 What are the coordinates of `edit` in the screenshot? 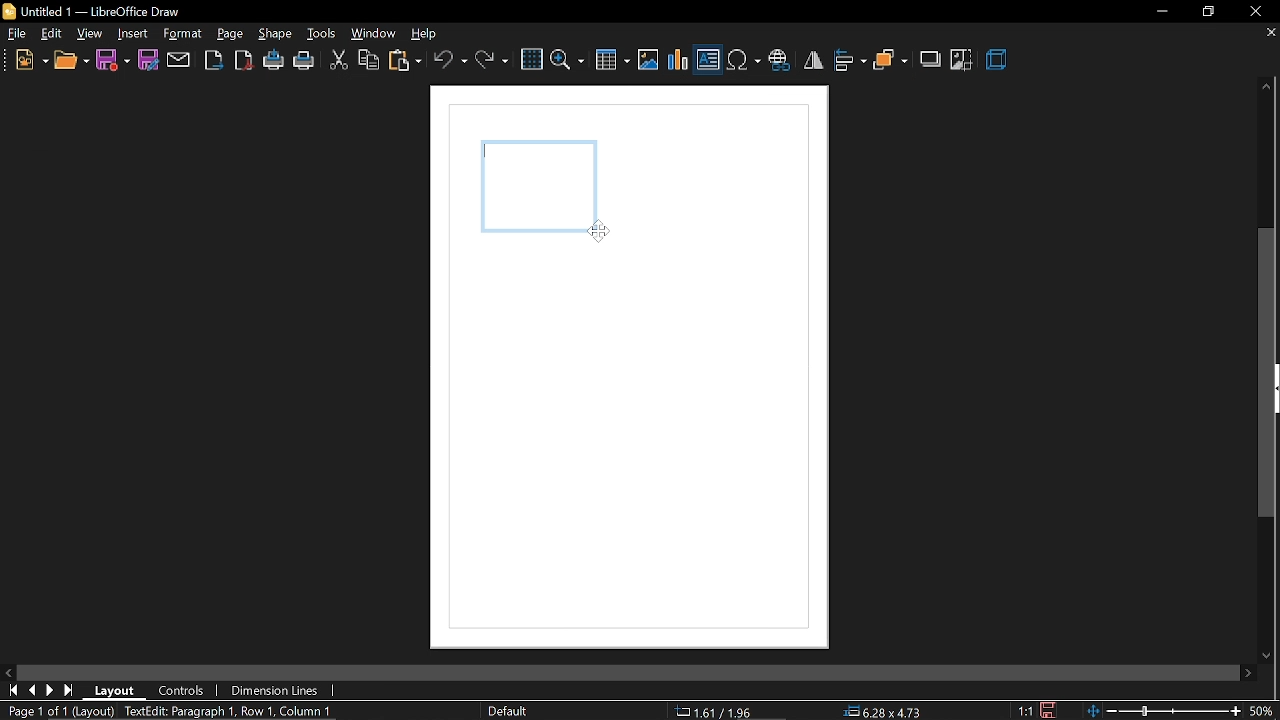 It's located at (53, 35).